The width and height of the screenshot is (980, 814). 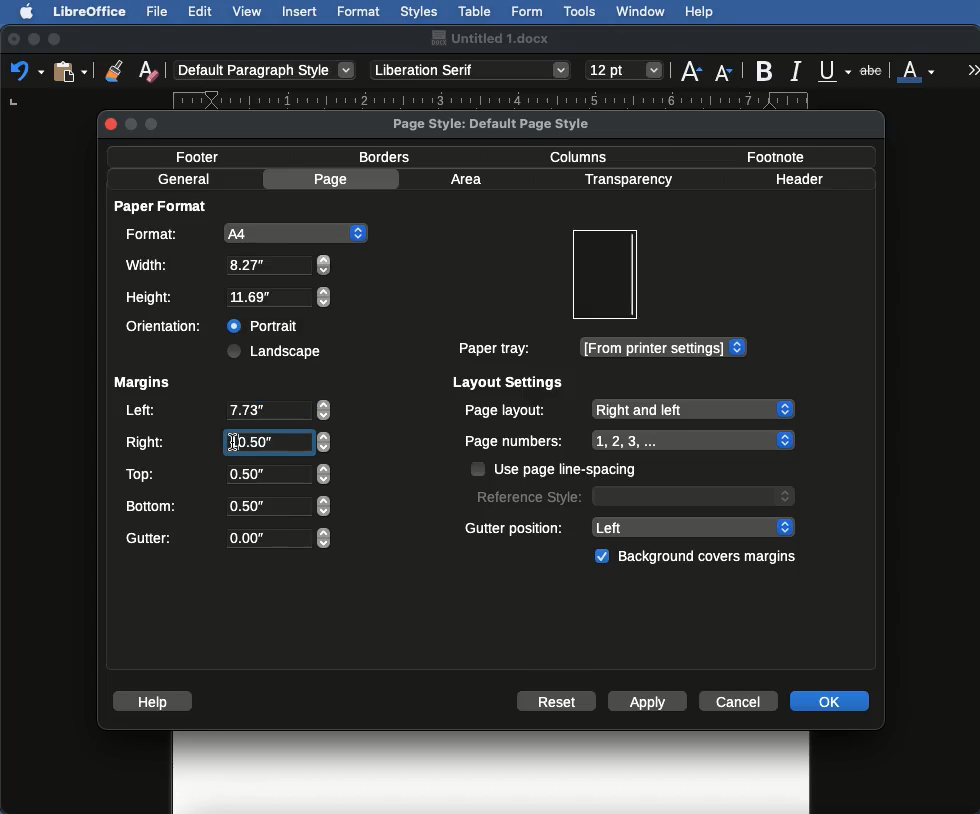 I want to click on Undo, so click(x=26, y=70).